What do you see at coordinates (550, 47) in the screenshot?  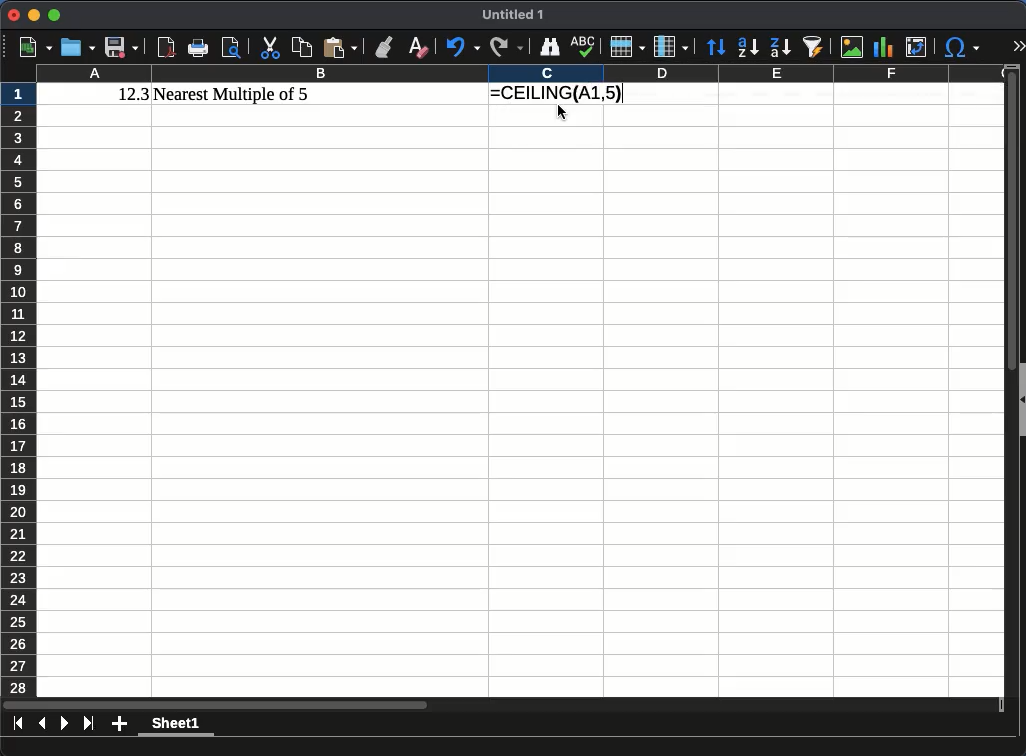 I see `finder` at bounding box center [550, 47].